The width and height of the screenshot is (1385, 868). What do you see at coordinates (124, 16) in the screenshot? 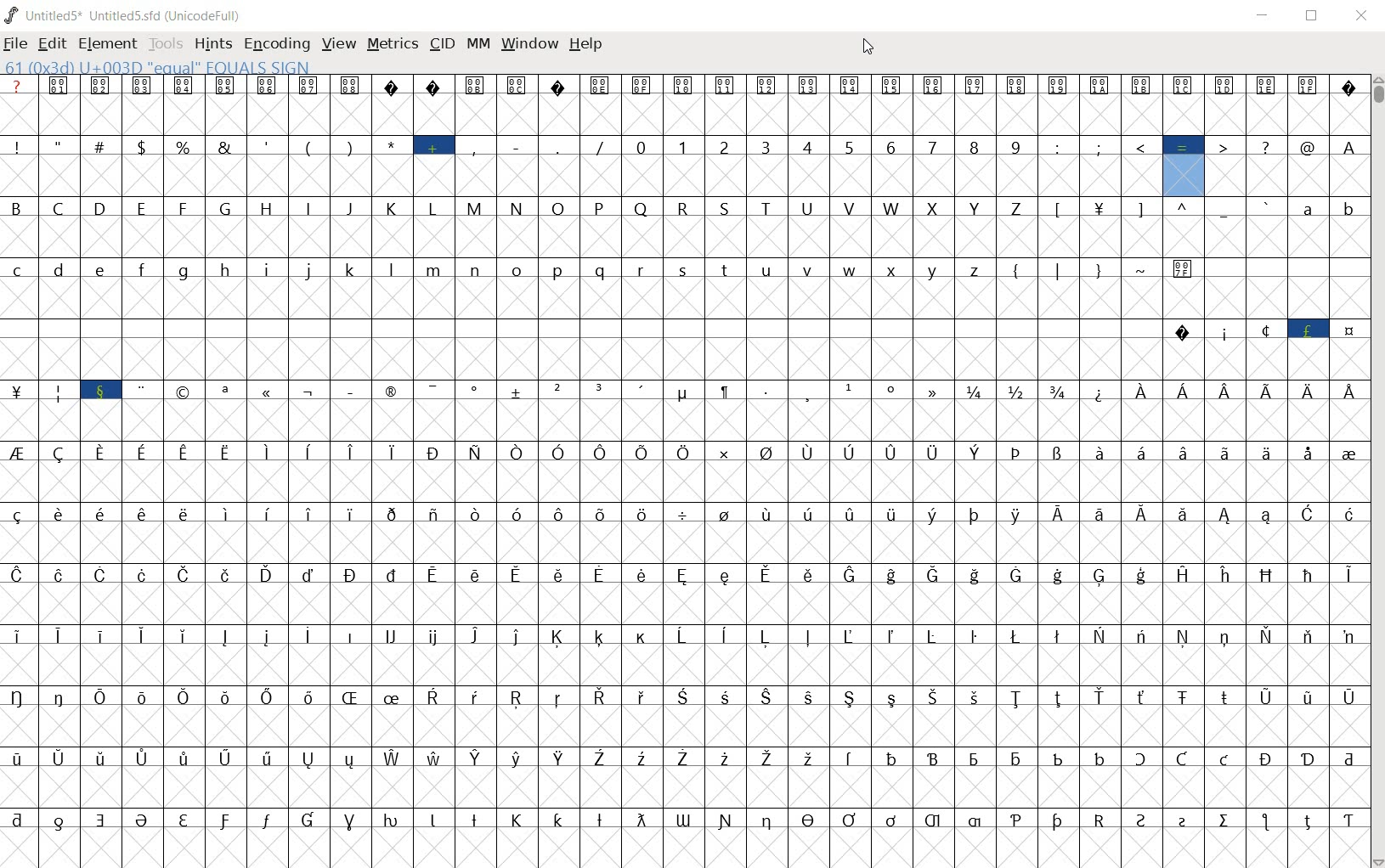
I see `UNTITLED5* uNTITLED5.SFD (UnicodeFull)` at bounding box center [124, 16].